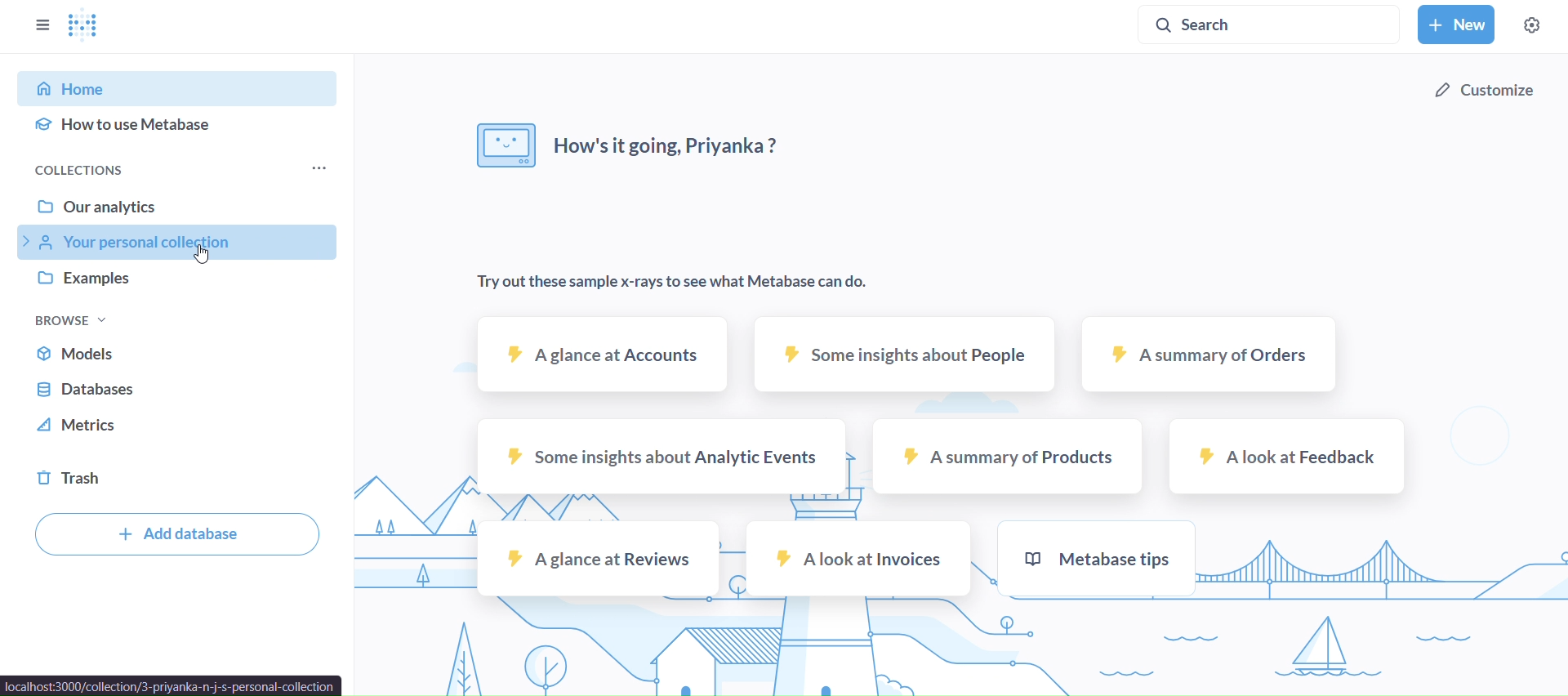 This screenshot has height=696, width=1568. What do you see at coordinates (1207, 353) in the screenshot?
I see `a summary of orders` at bounding box center [1207, 353].